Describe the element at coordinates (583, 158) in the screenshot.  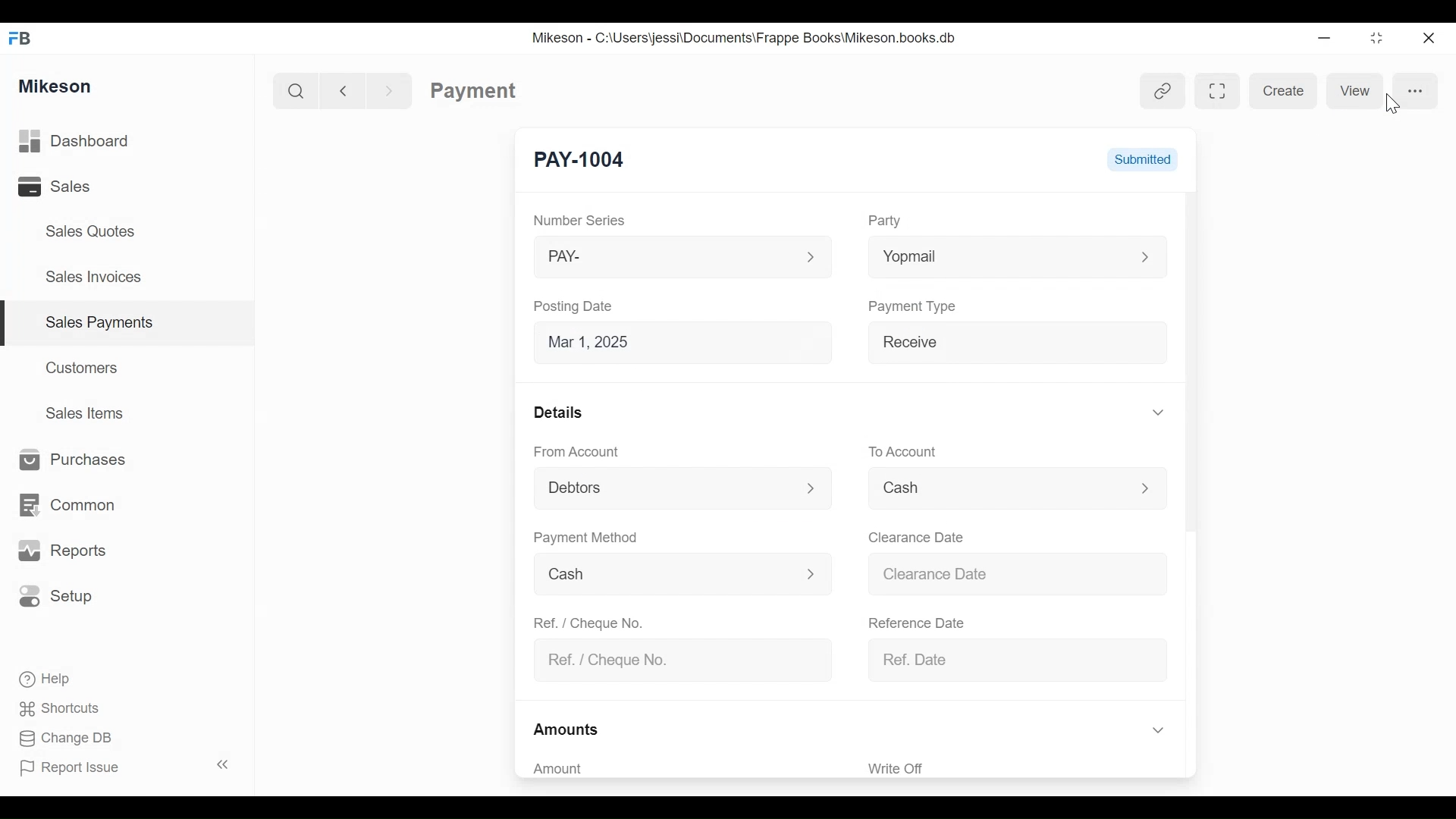
I see `New Entry` at that location.